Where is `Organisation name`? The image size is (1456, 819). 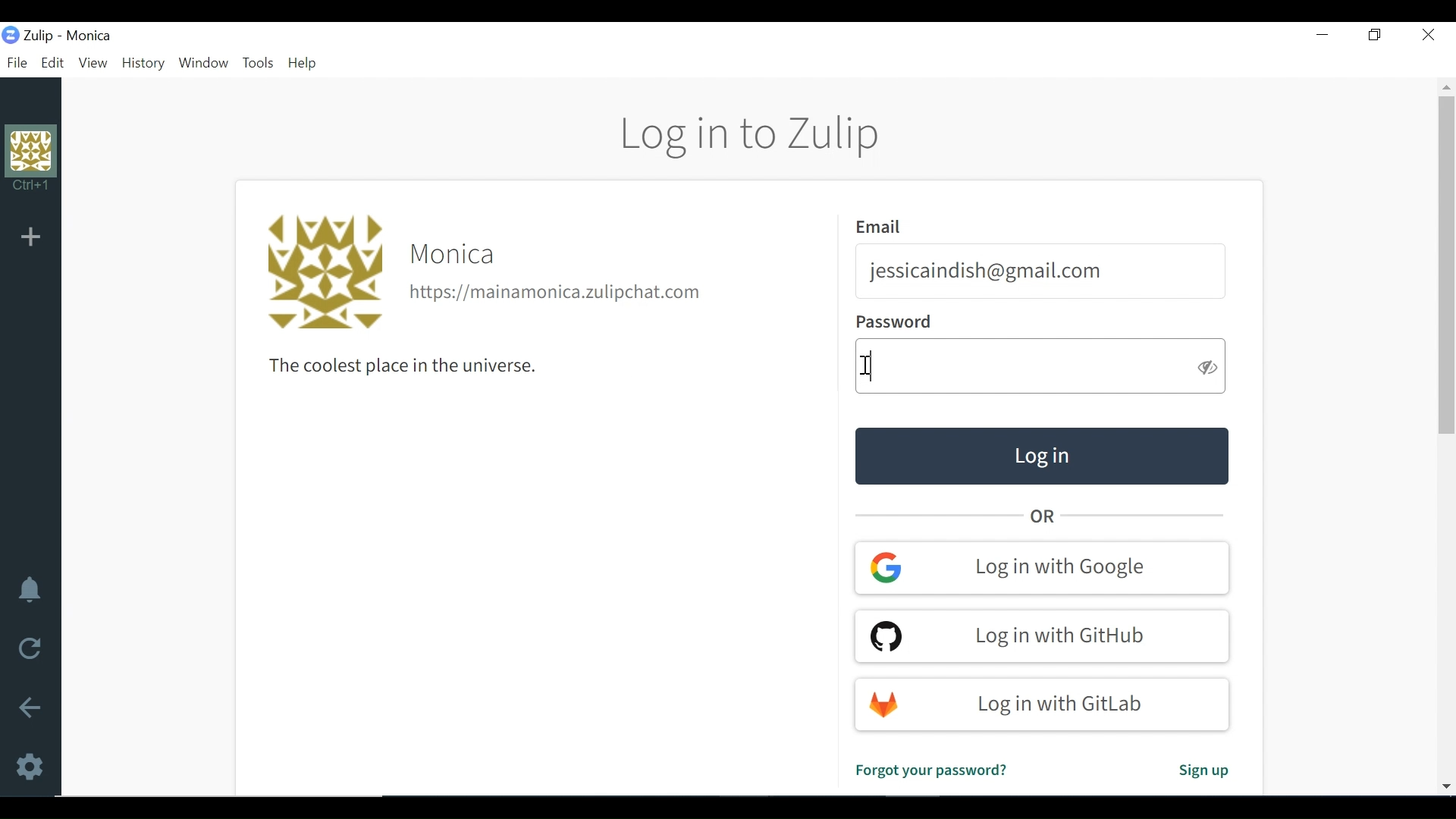
Organisation name is located at coordinates (456, 255).